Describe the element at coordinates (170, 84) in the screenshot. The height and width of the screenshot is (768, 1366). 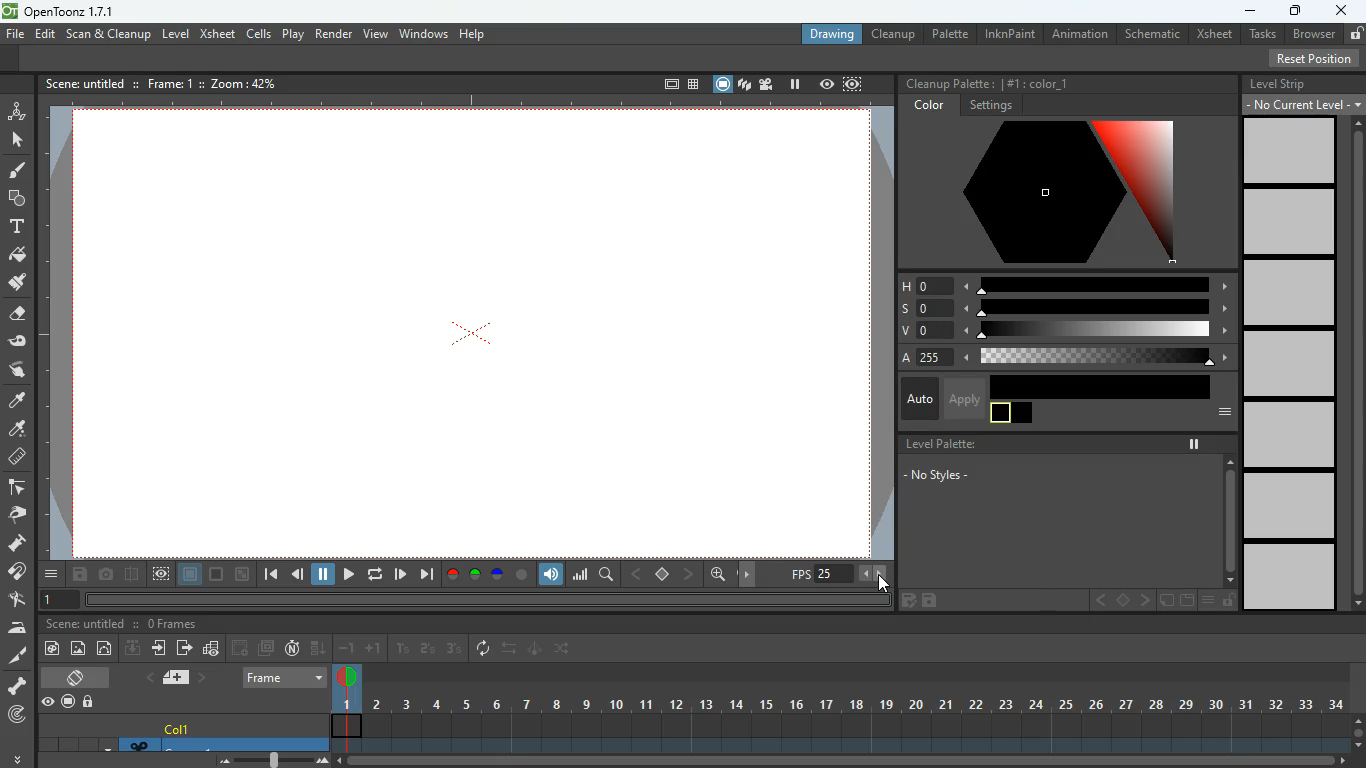
I see `frame` at that location.